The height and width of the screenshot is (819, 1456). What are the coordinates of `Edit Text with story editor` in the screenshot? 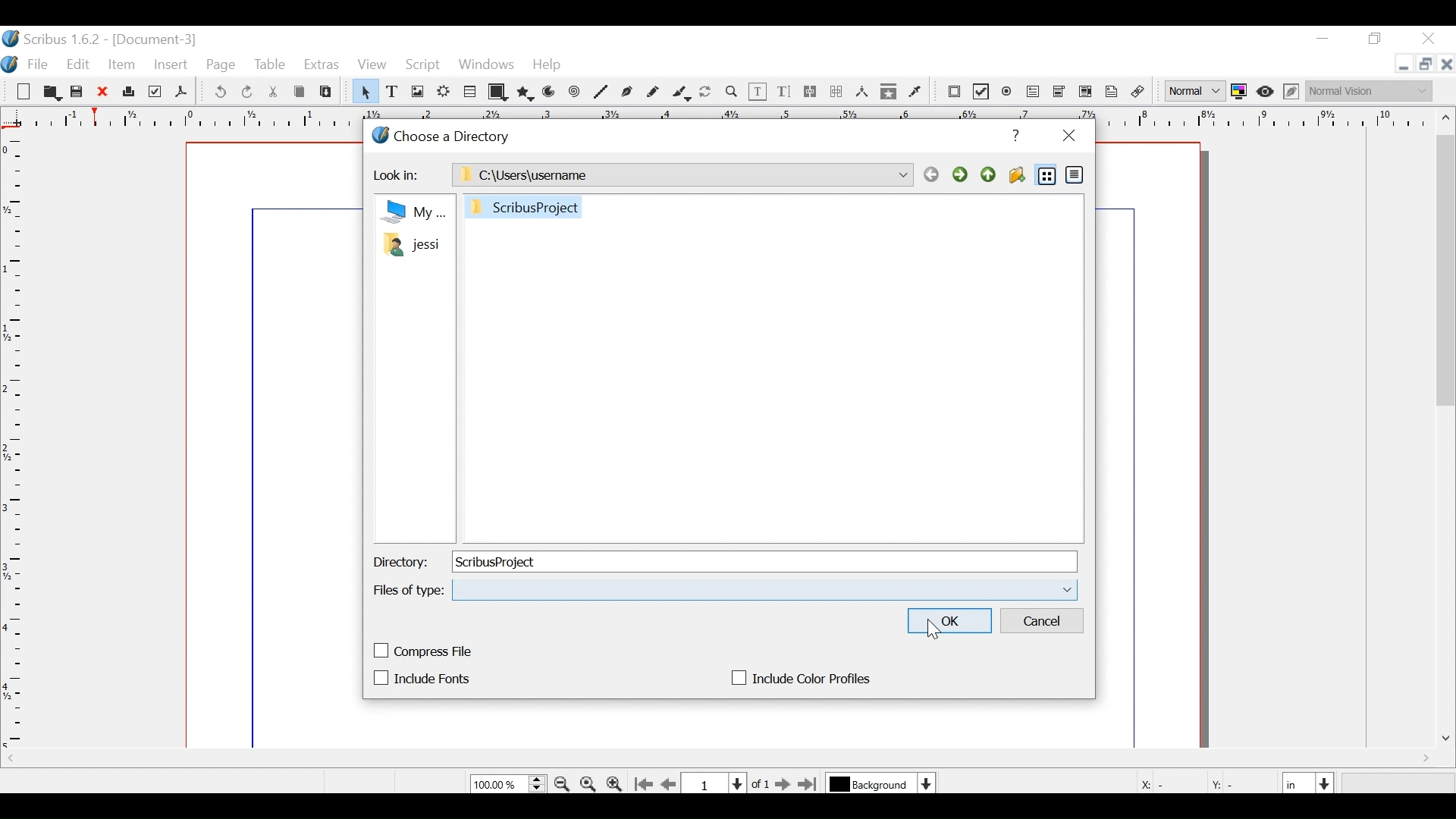 It's located at (784, 91).